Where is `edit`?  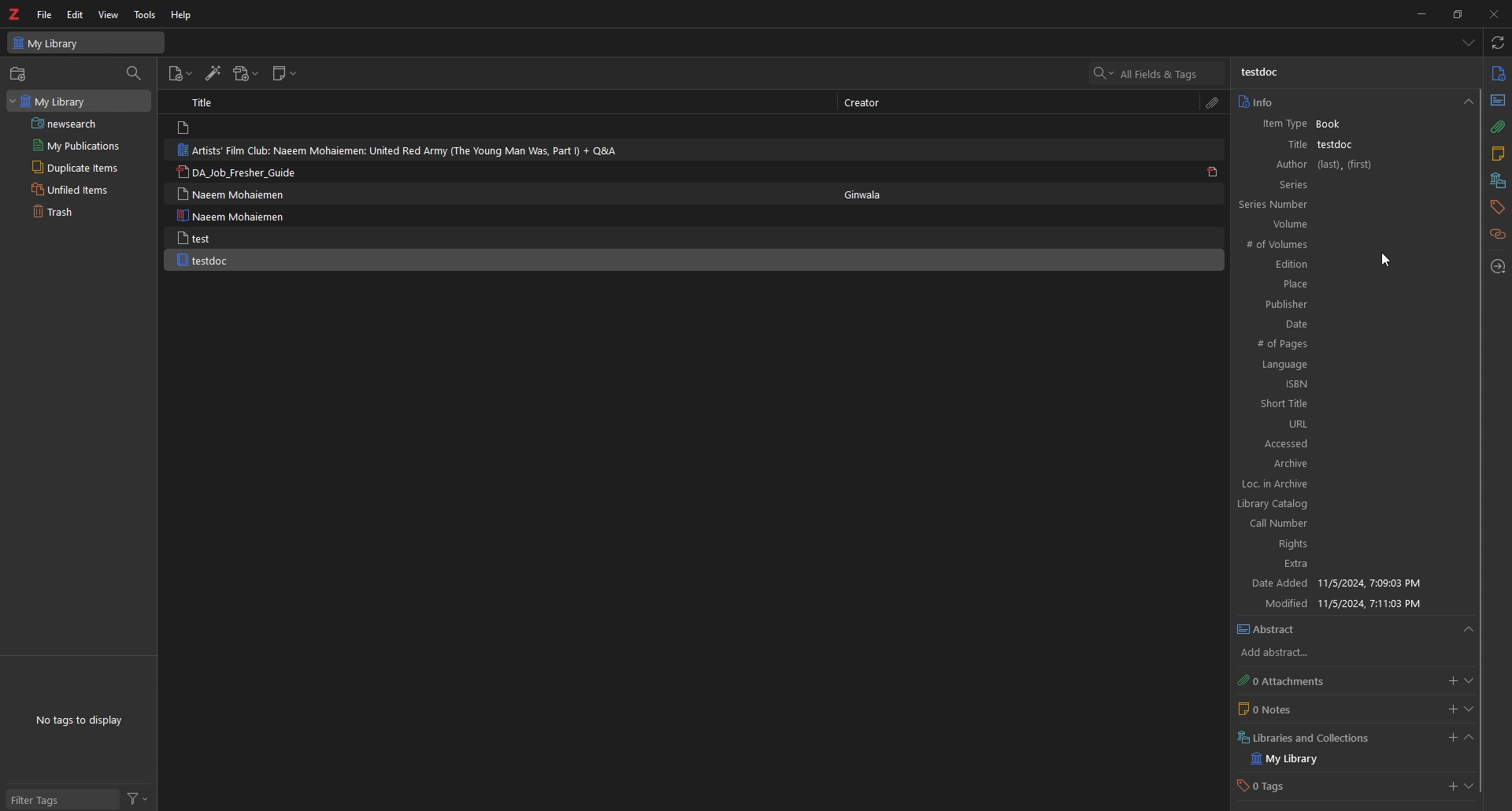 edit is located at coordinates (75, 14).